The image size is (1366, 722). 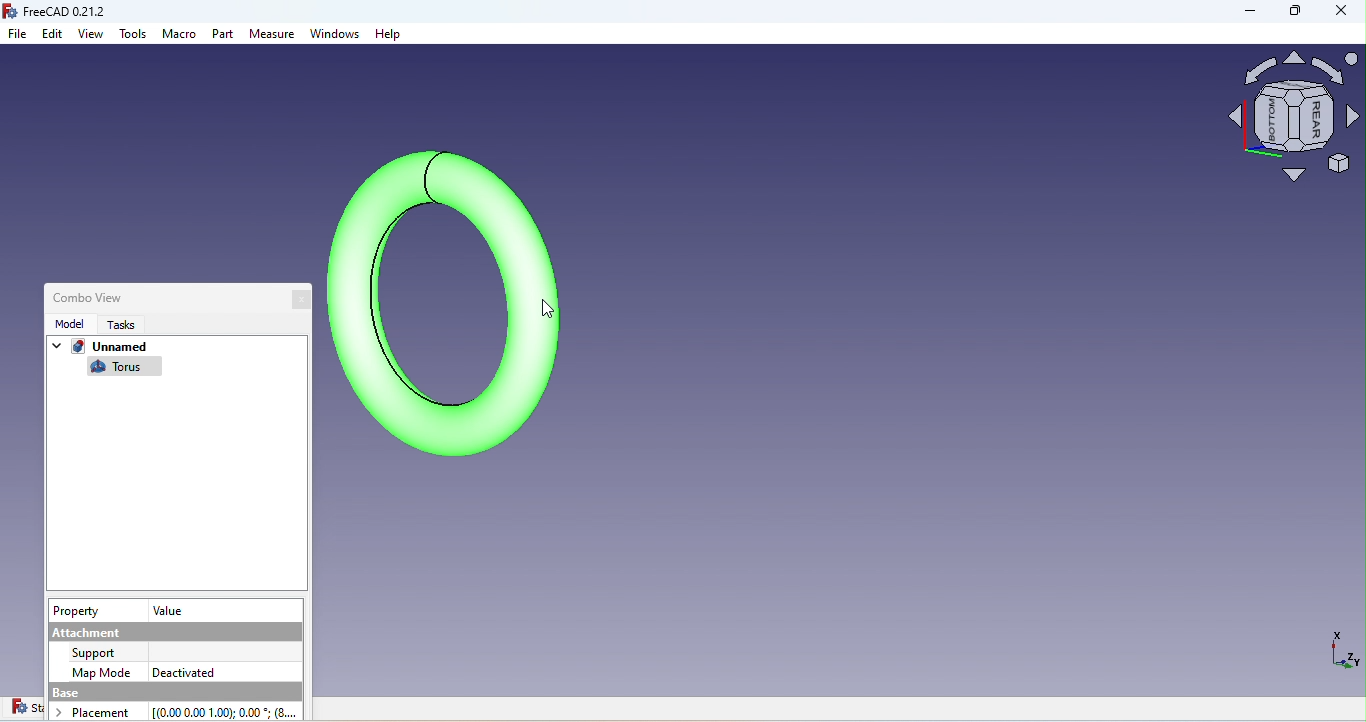 I want to click on Value, so click(x=168, y=609).